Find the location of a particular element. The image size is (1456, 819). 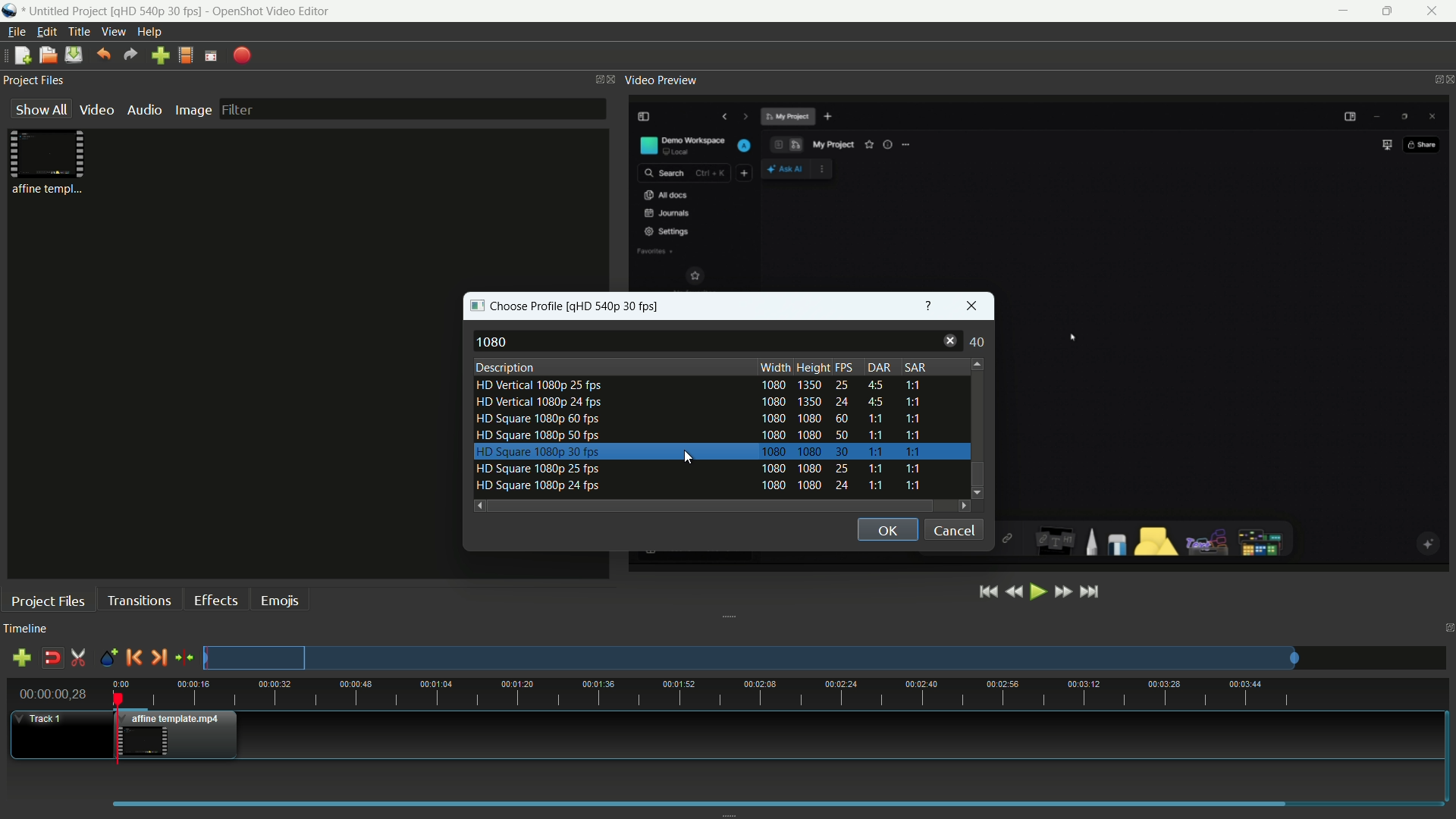

emojis is located at coordinates (280, 601).